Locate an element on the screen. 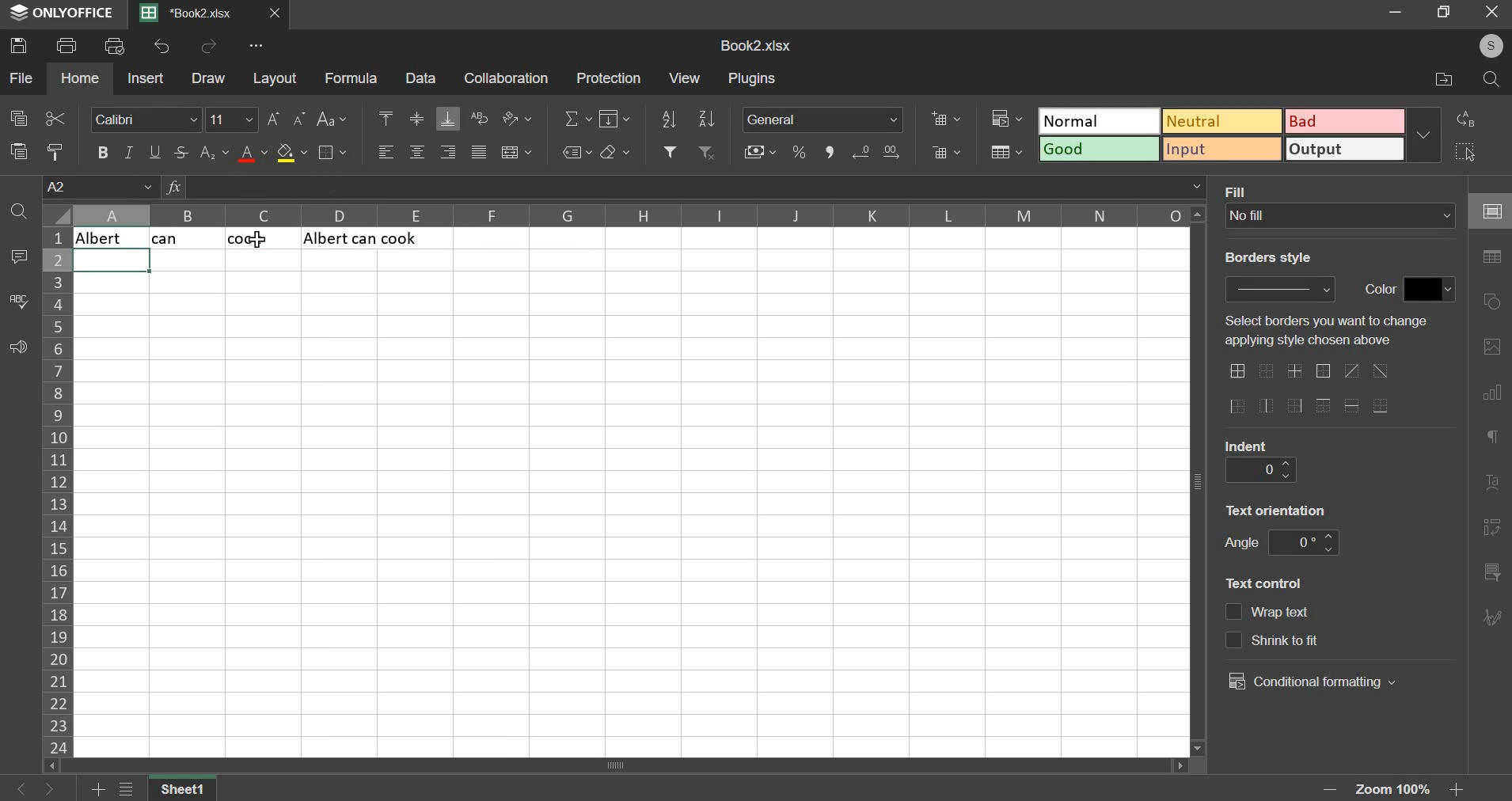 The height and width of the screenshot is (801, 1512). conditional formatting is located at coordinates (1309, 681).